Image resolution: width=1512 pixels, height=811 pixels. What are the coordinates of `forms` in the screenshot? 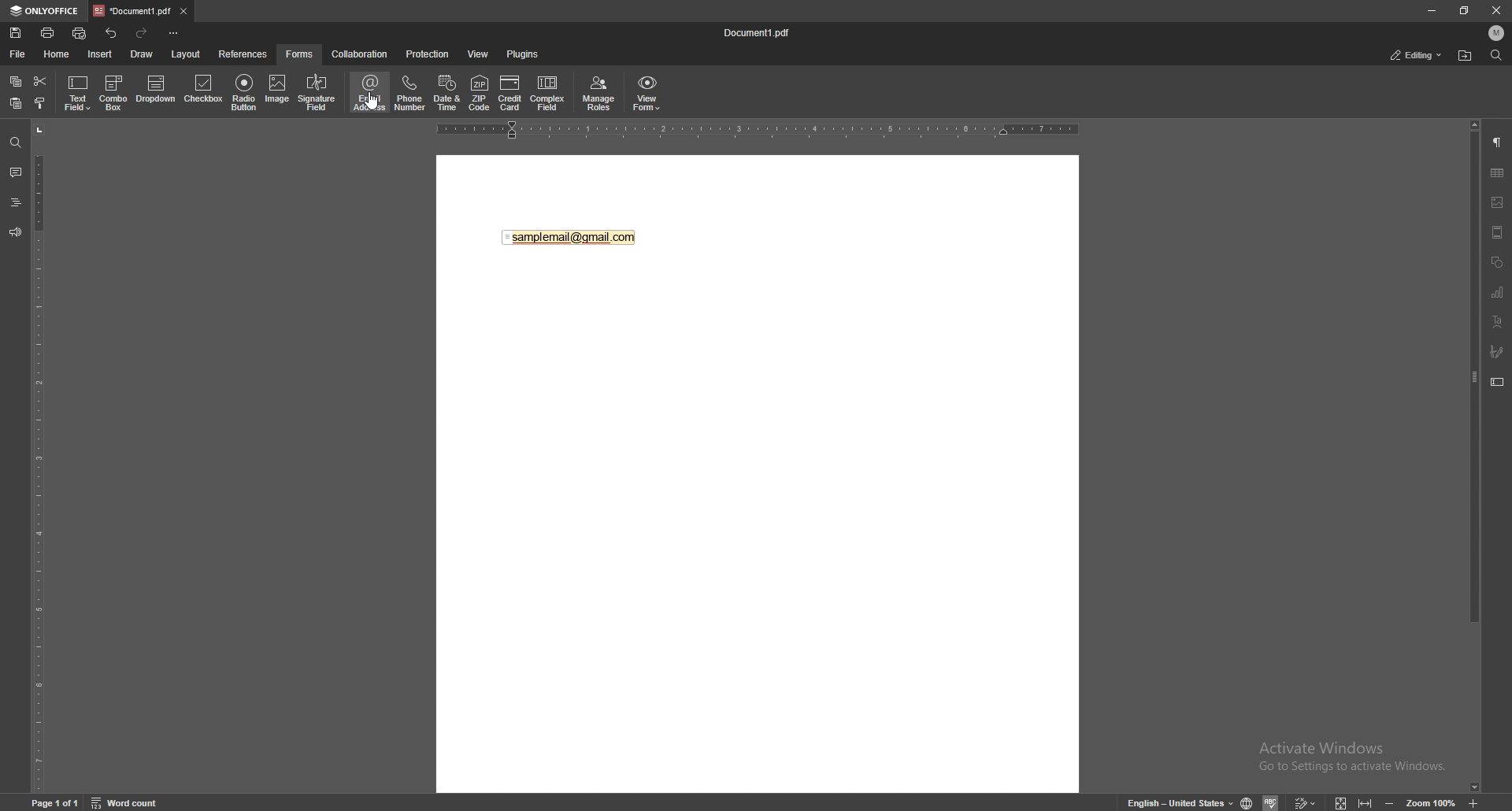 It's located at (302, 54).